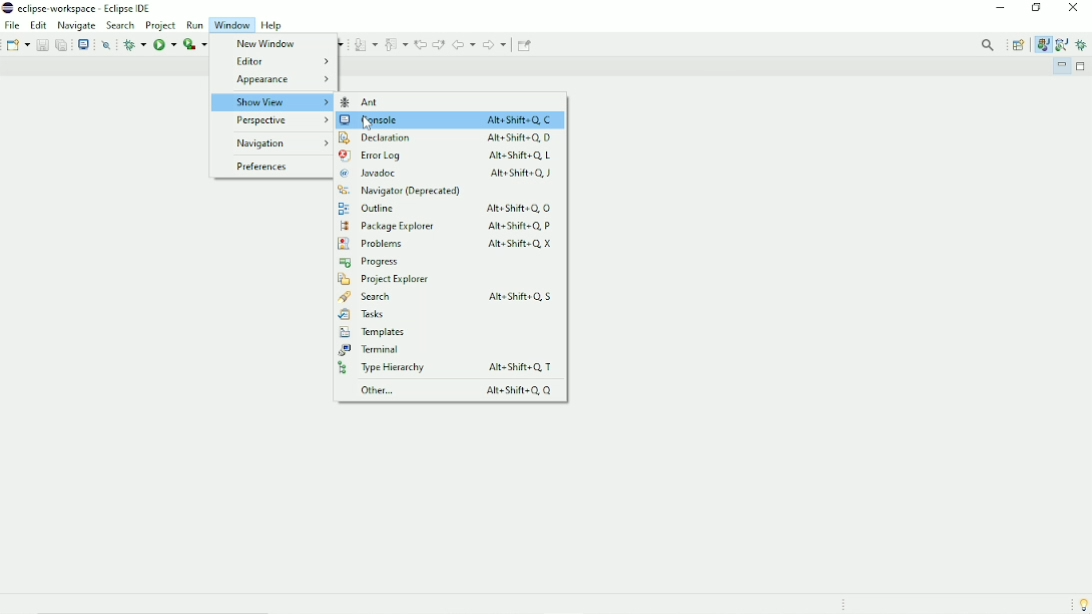  Describe the element at coordinates (83, 43) in the screenshot. I see `Open a terminal` at that location.